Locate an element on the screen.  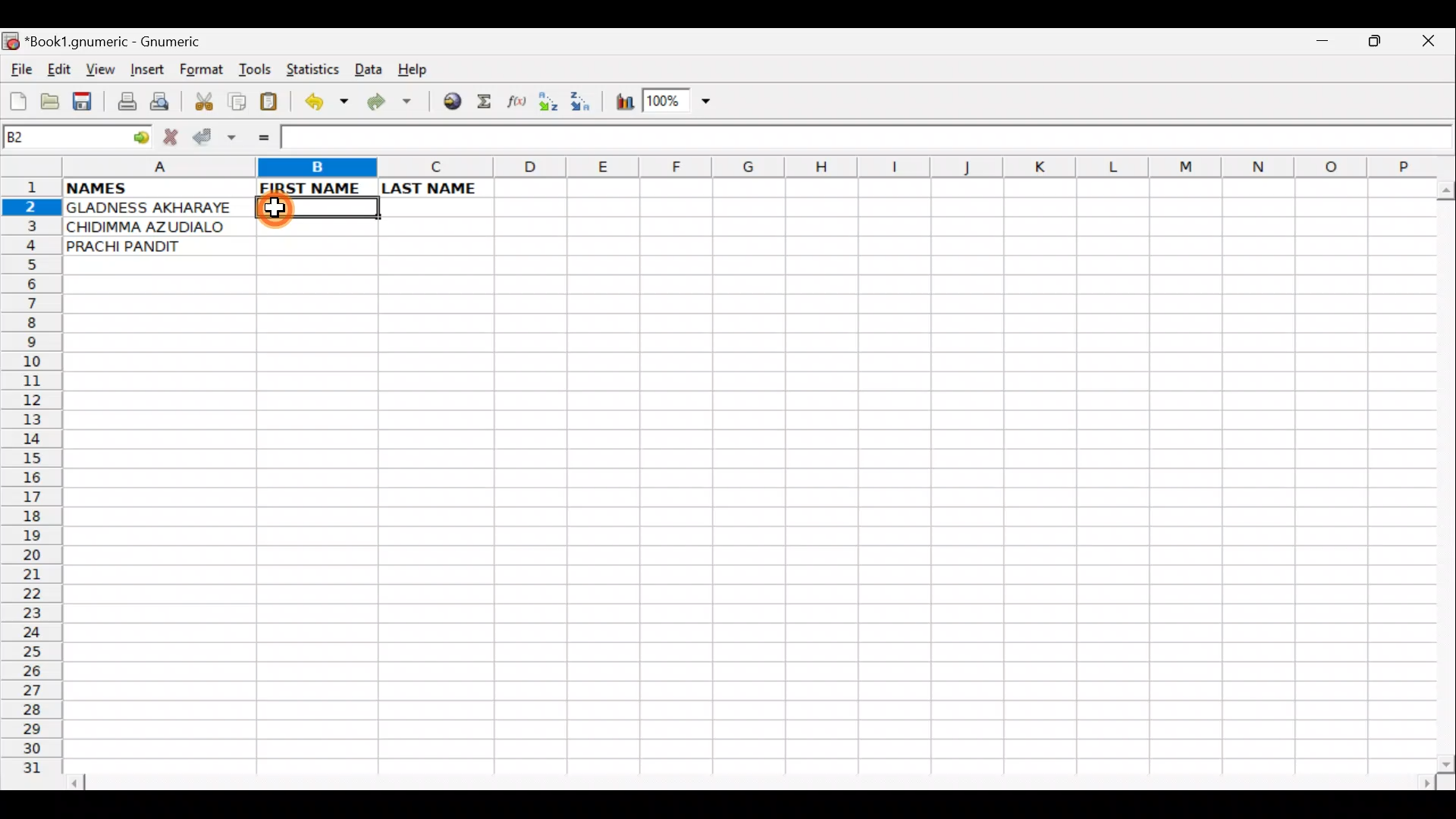
Gnumeric logo is located at coordinates (11, 42).